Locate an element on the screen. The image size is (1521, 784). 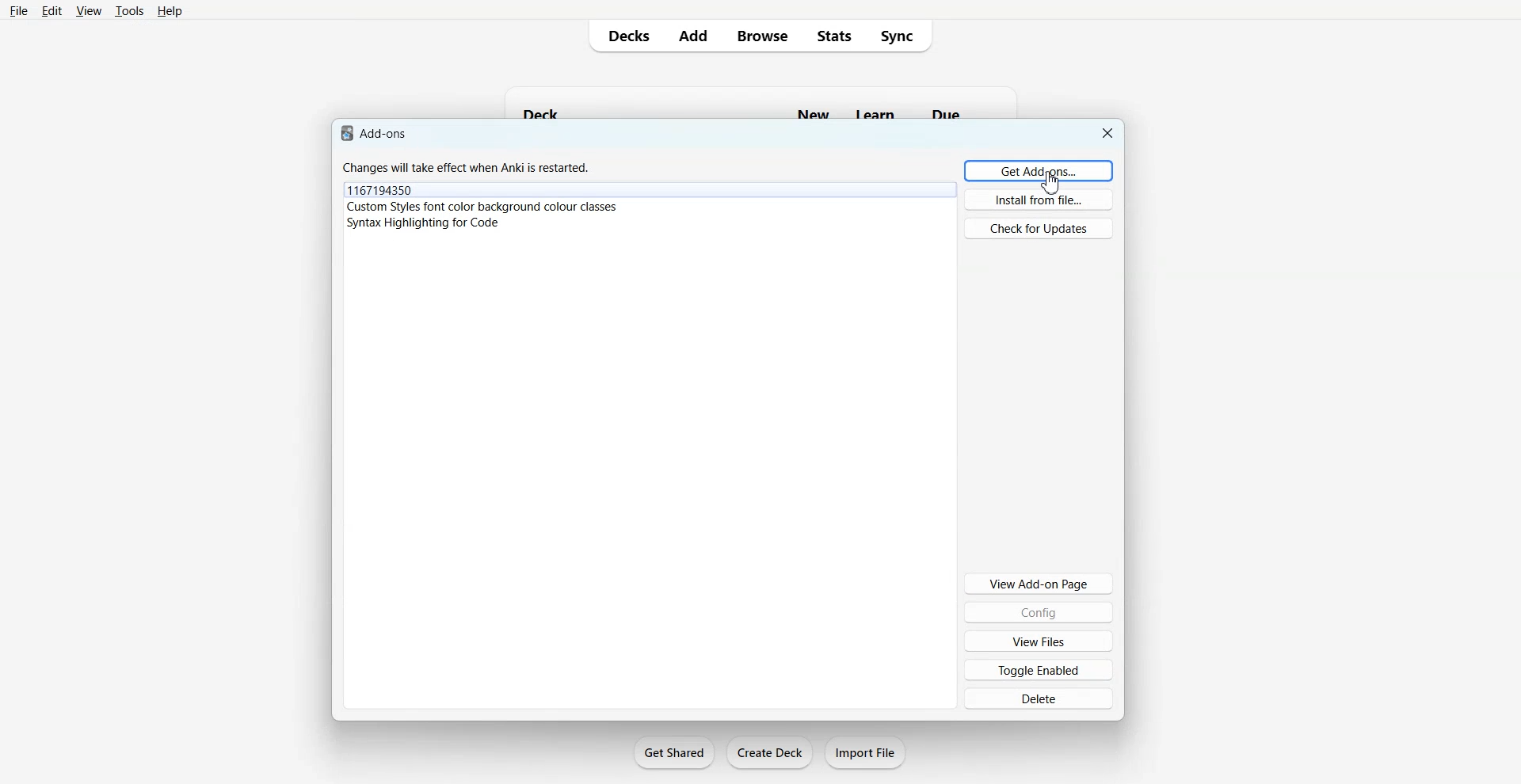
Tools is located at coordinates (128, 11).